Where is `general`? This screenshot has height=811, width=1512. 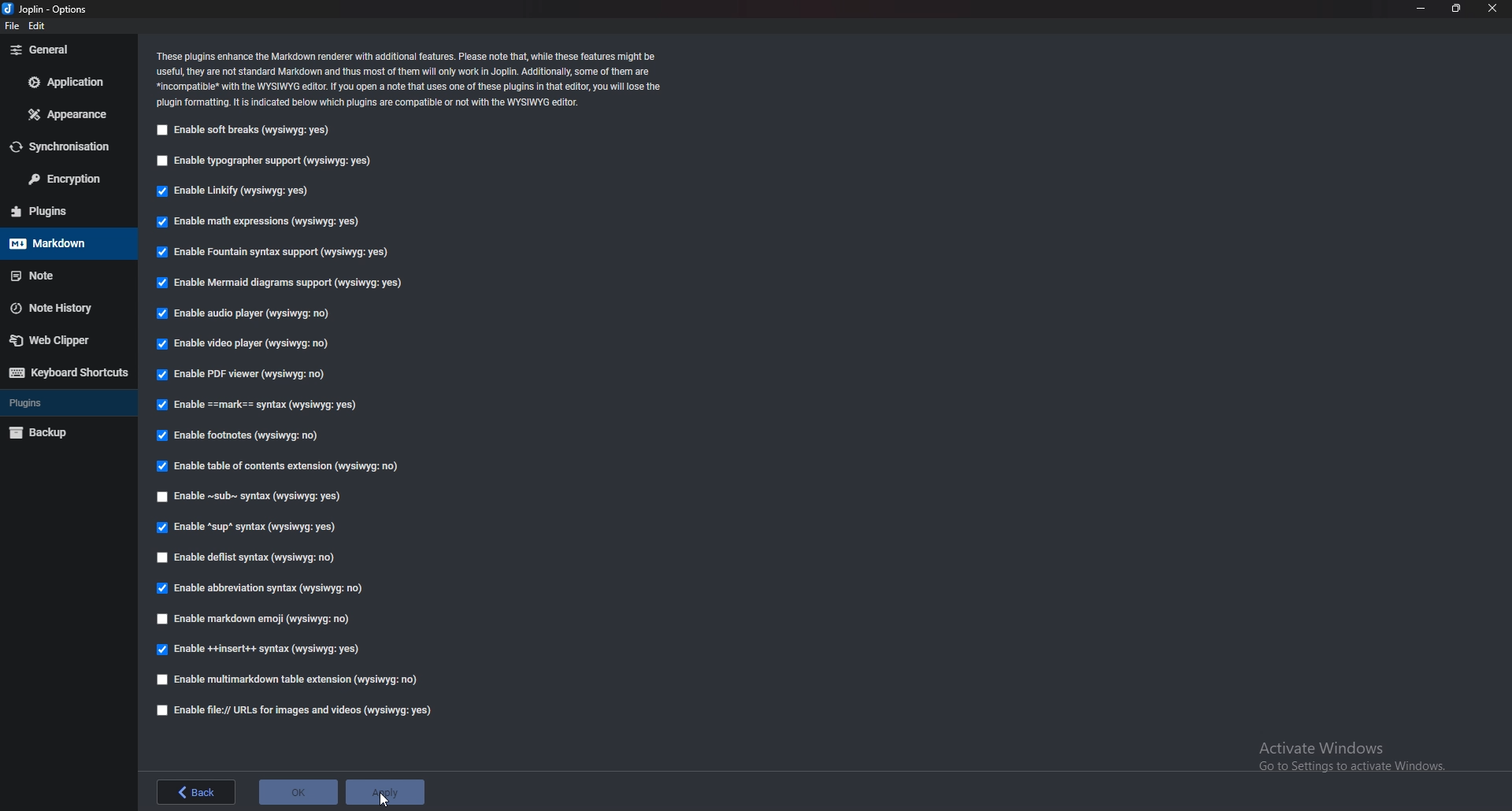
general is located at coordinates (69, 50).